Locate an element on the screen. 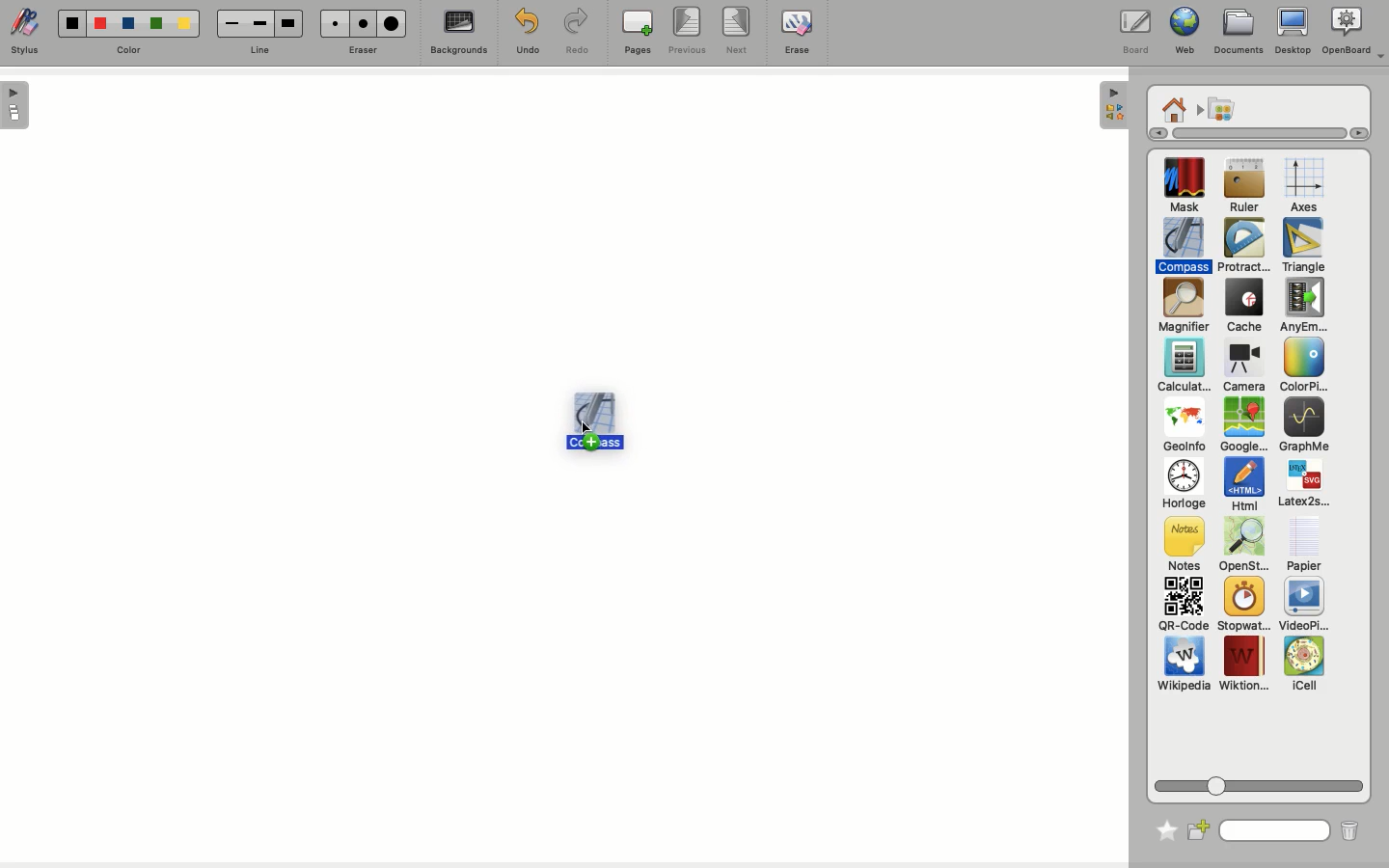  GeoInfo is located at coordinates (1184, 430).